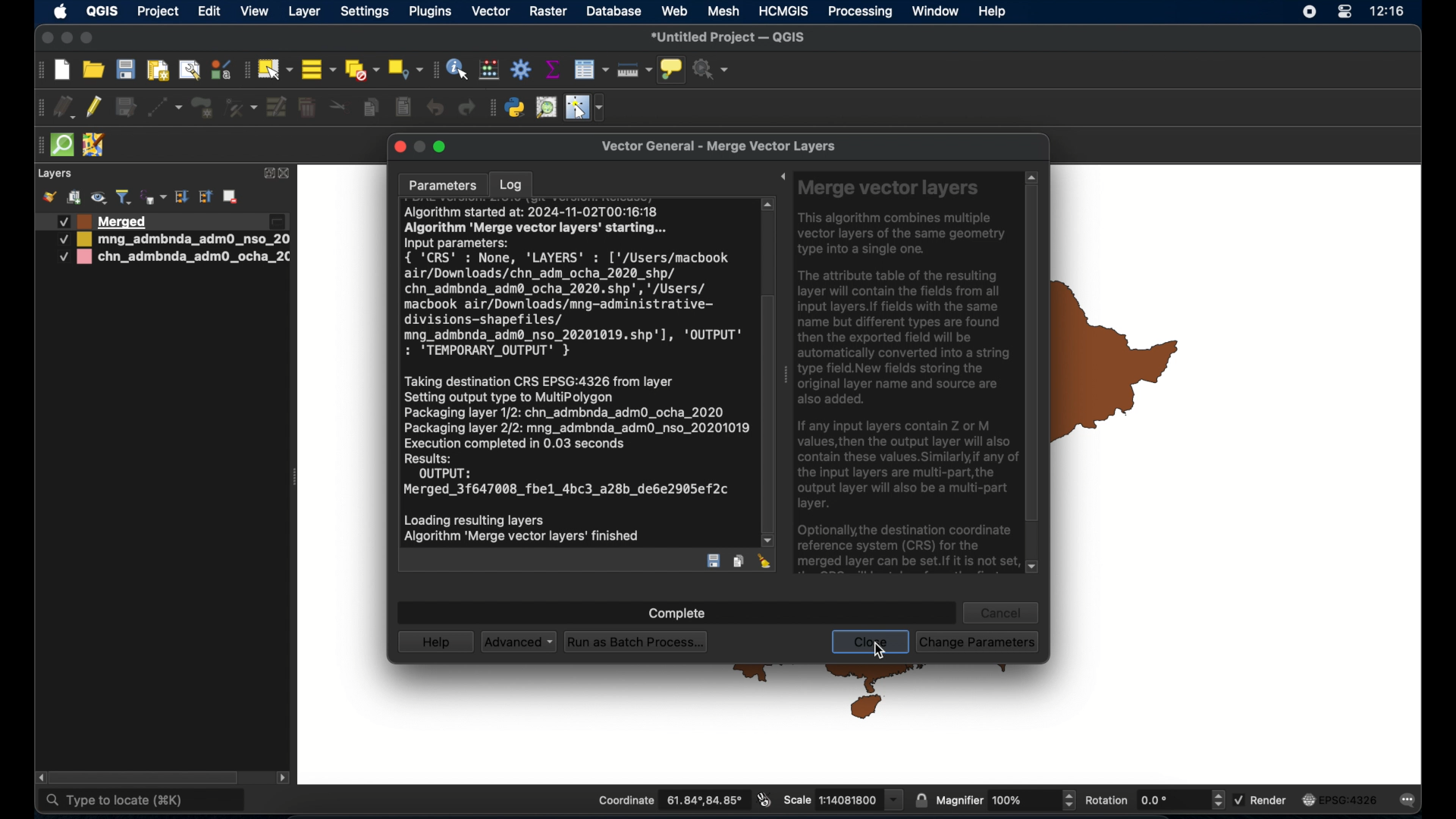 This screenshot has height=819, width=1456. What do you see at coordinates (98, 198) in the screenshot?
I see `manage map theme` at bounding box center [98, 198].